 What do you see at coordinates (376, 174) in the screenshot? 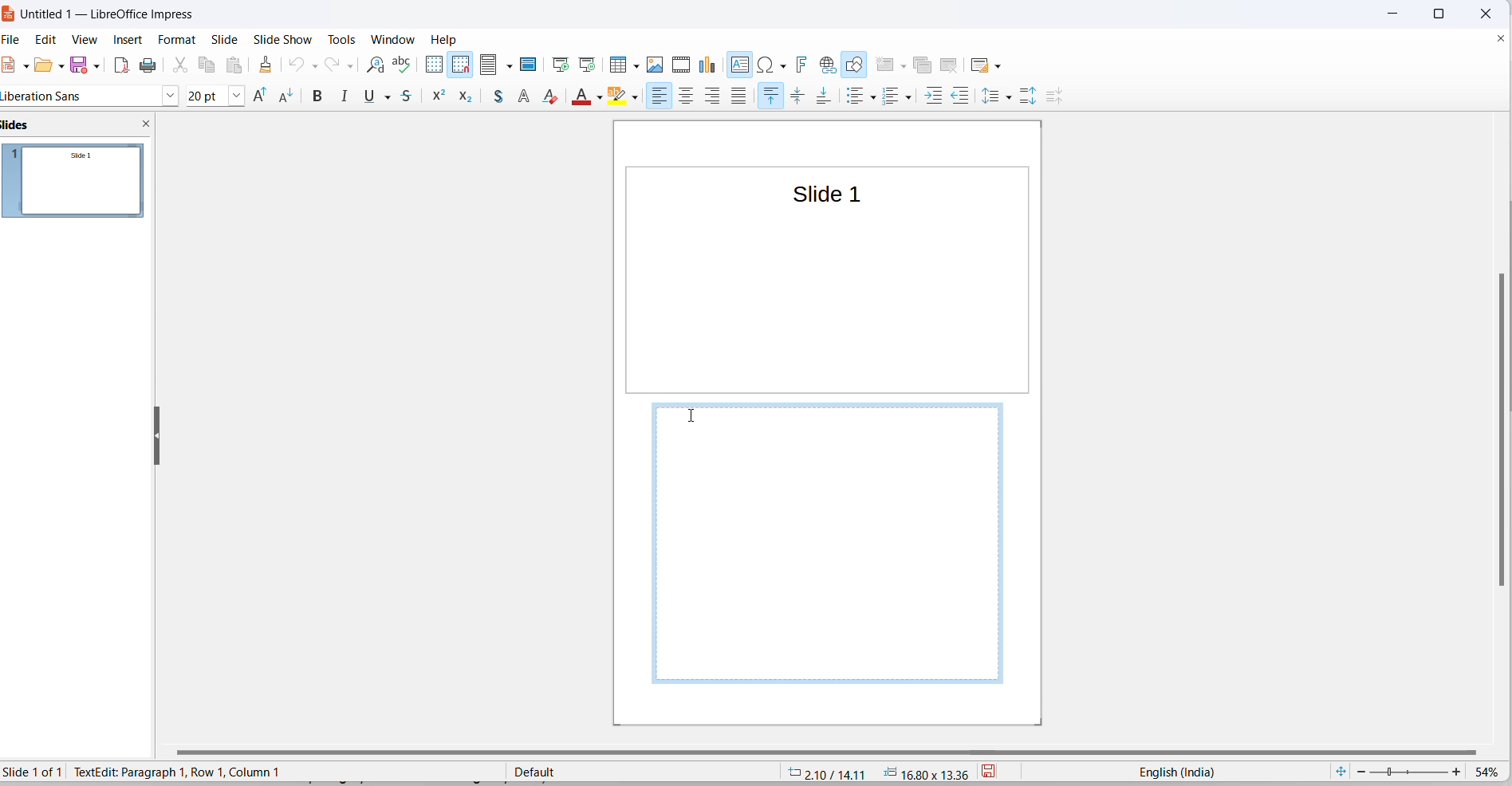
I see `` at bounding box center [376, 174].